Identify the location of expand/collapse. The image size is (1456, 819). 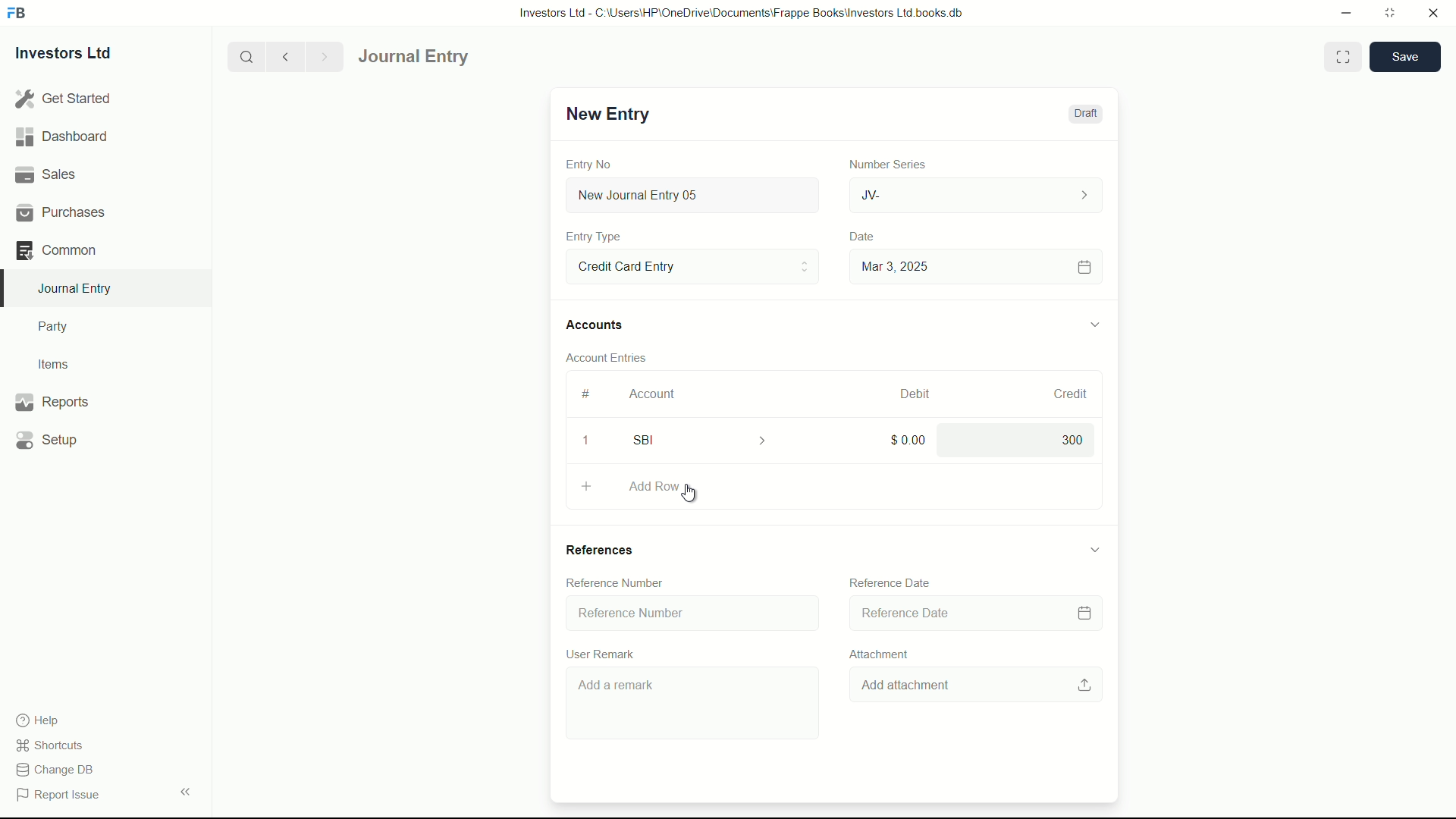
(1094, 549).